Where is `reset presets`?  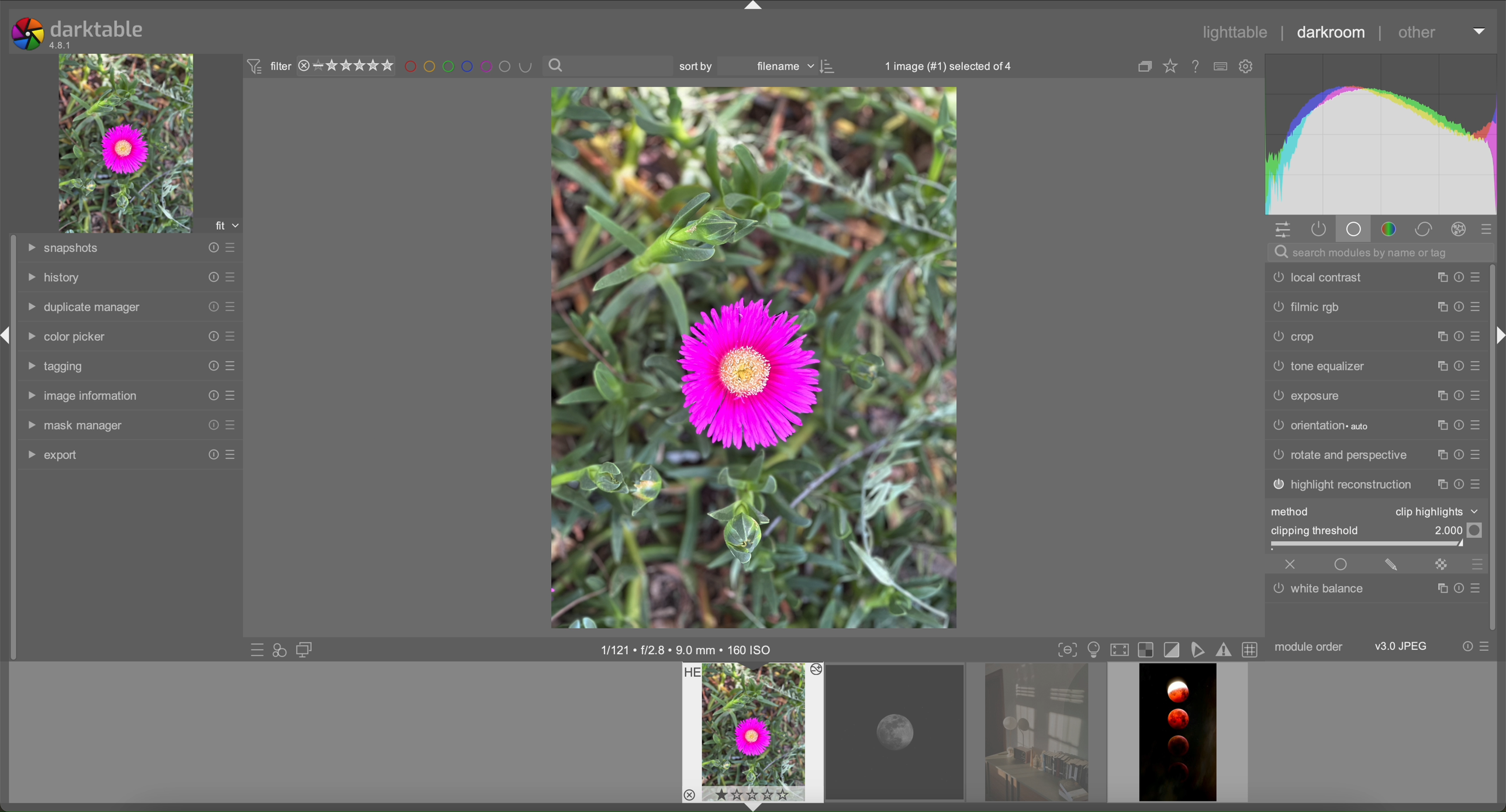
reset presets is located at coordinates (1467, 645).